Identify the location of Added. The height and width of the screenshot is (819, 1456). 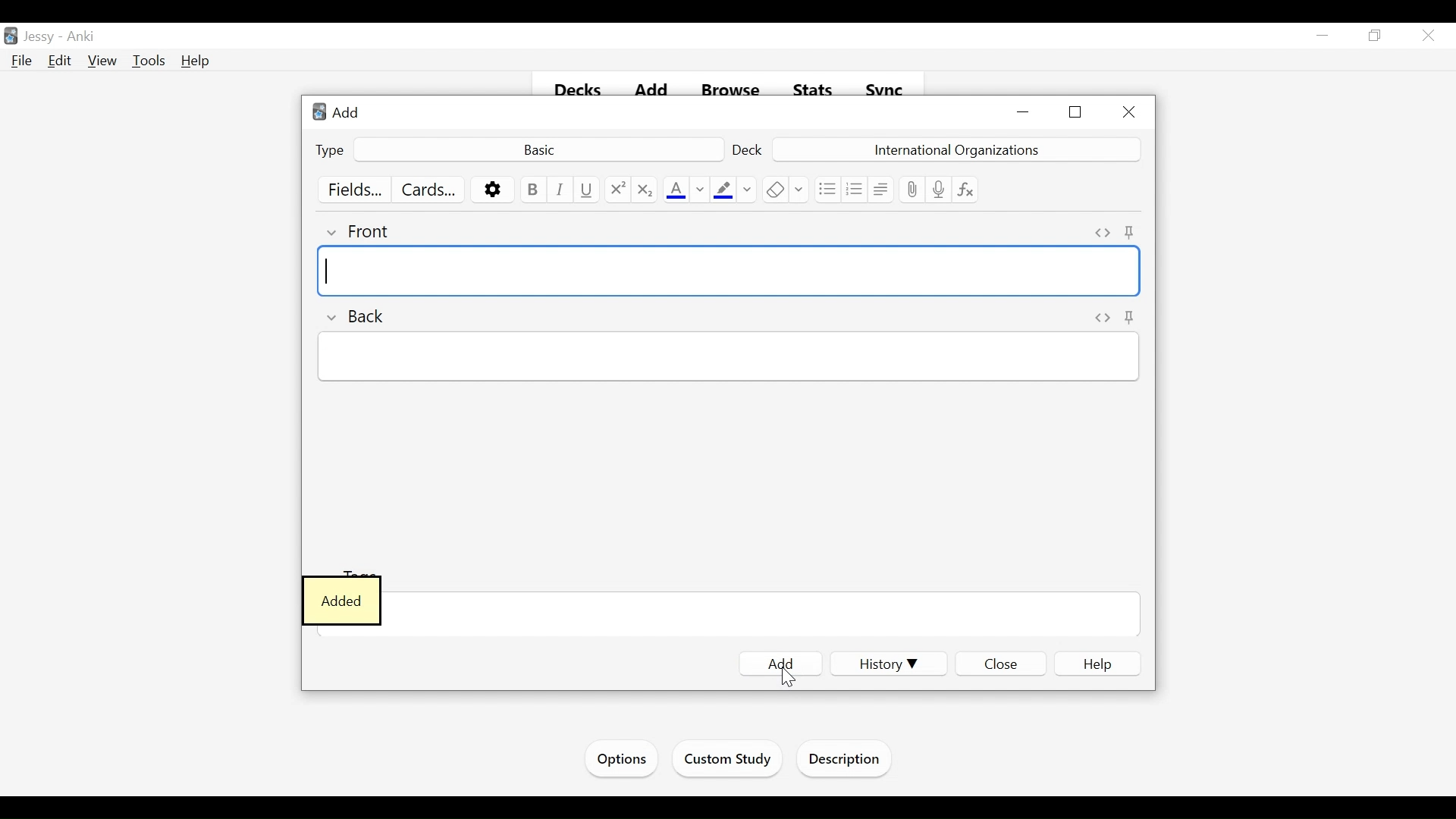
(342, 600).